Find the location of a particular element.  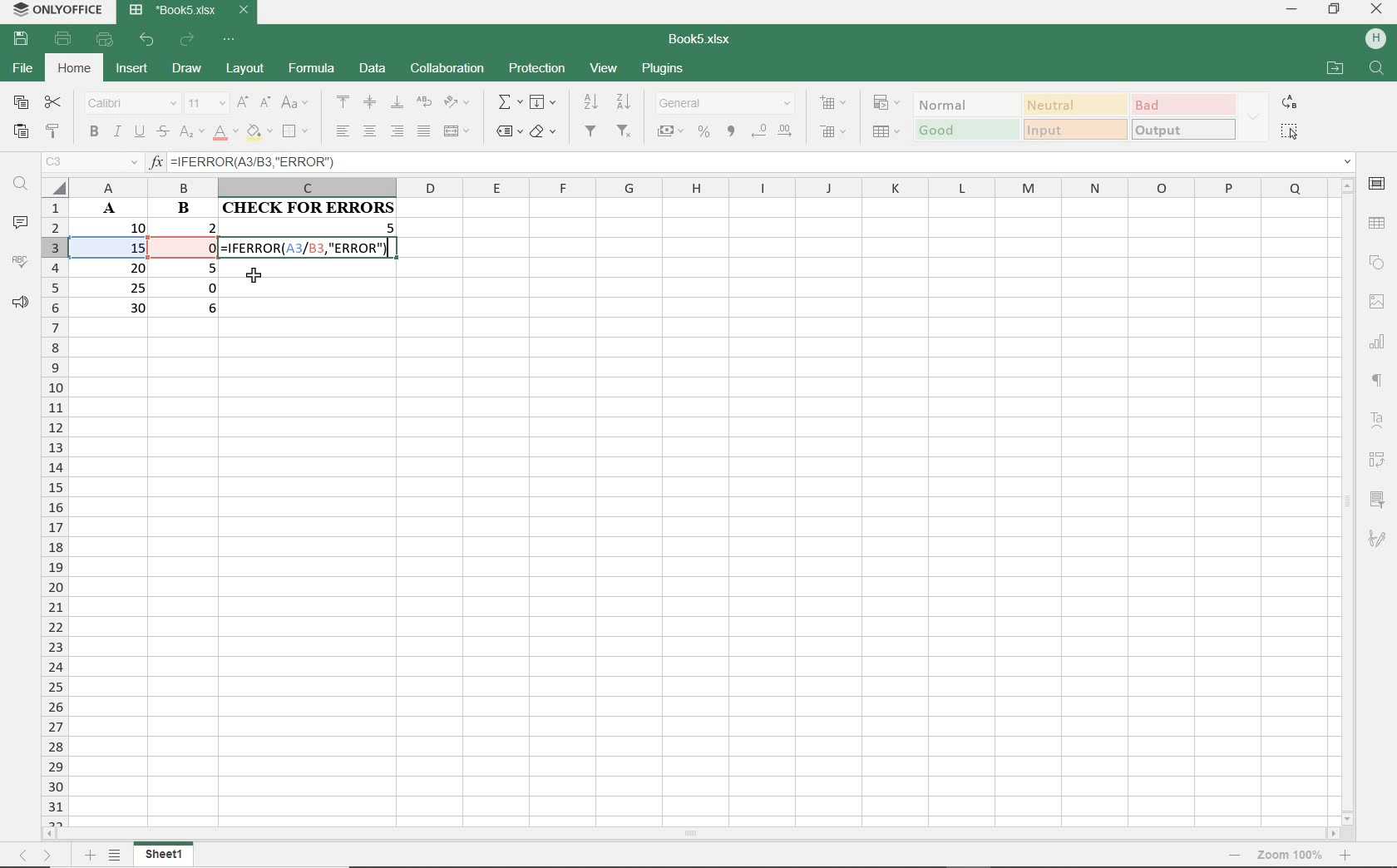

HOME is located at coordinates (74, 71).